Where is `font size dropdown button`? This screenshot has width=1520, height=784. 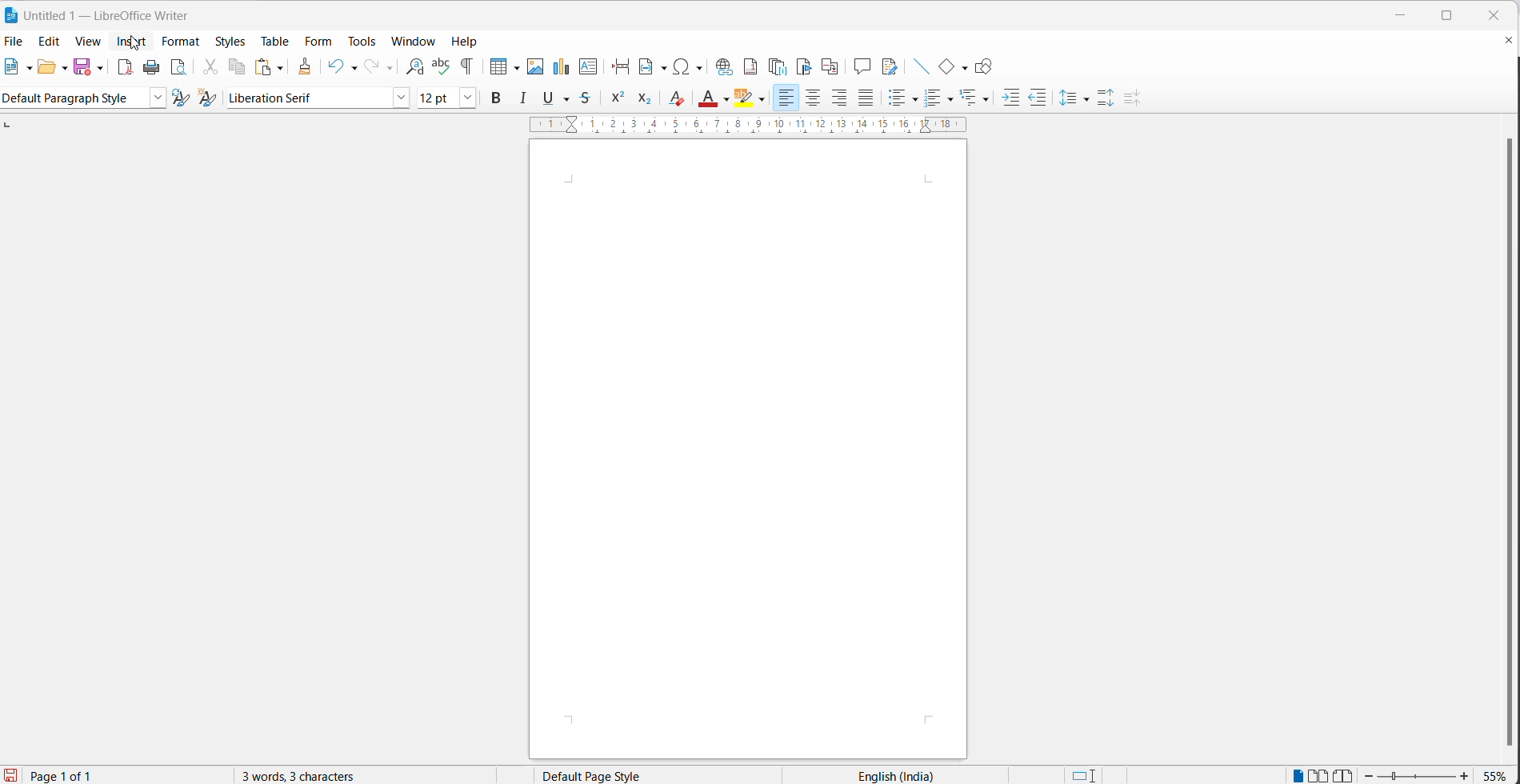
font size dropdown button is located at coordinates (467, 98).